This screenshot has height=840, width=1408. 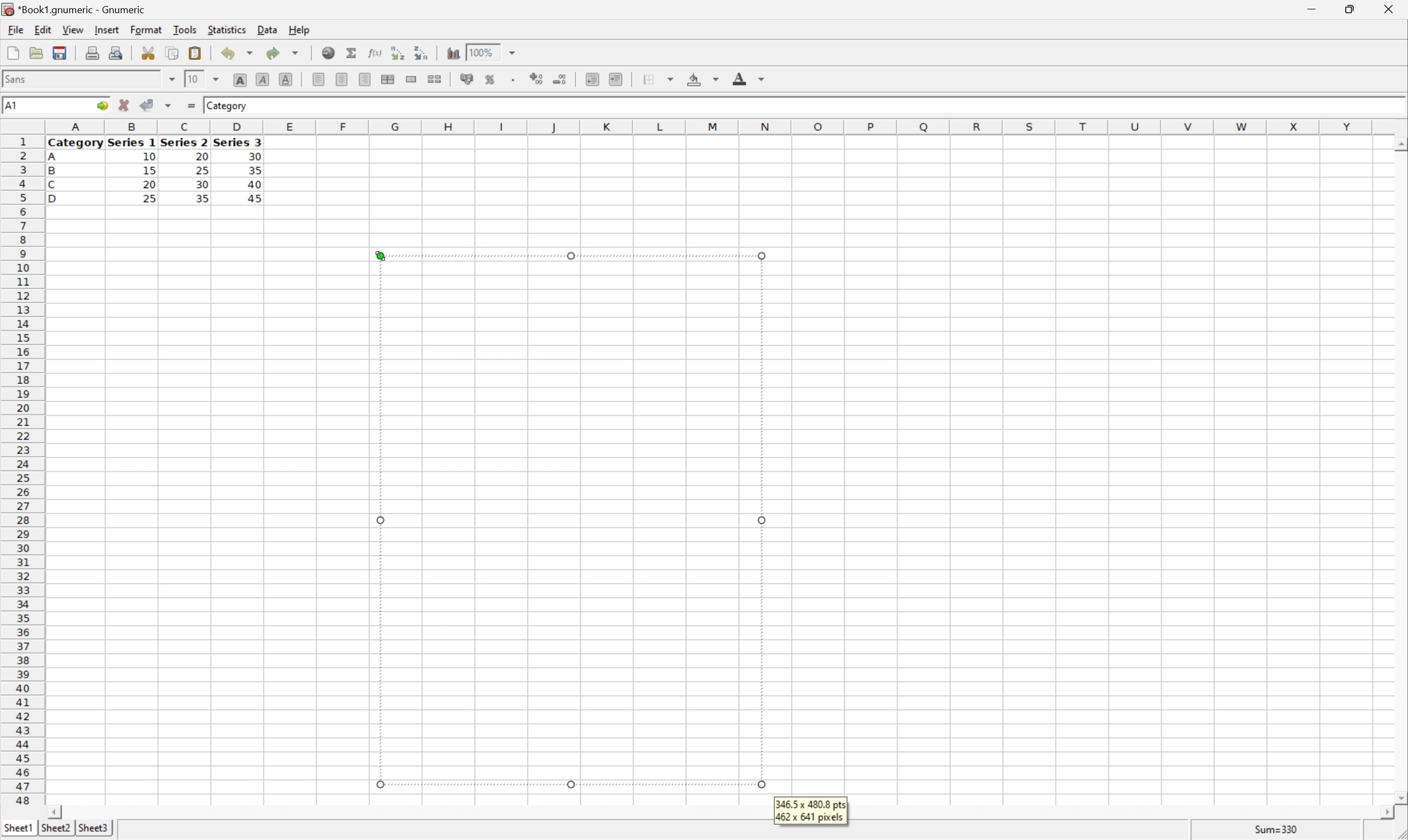 I want to click on Series 2, so click(x=183, y=142).